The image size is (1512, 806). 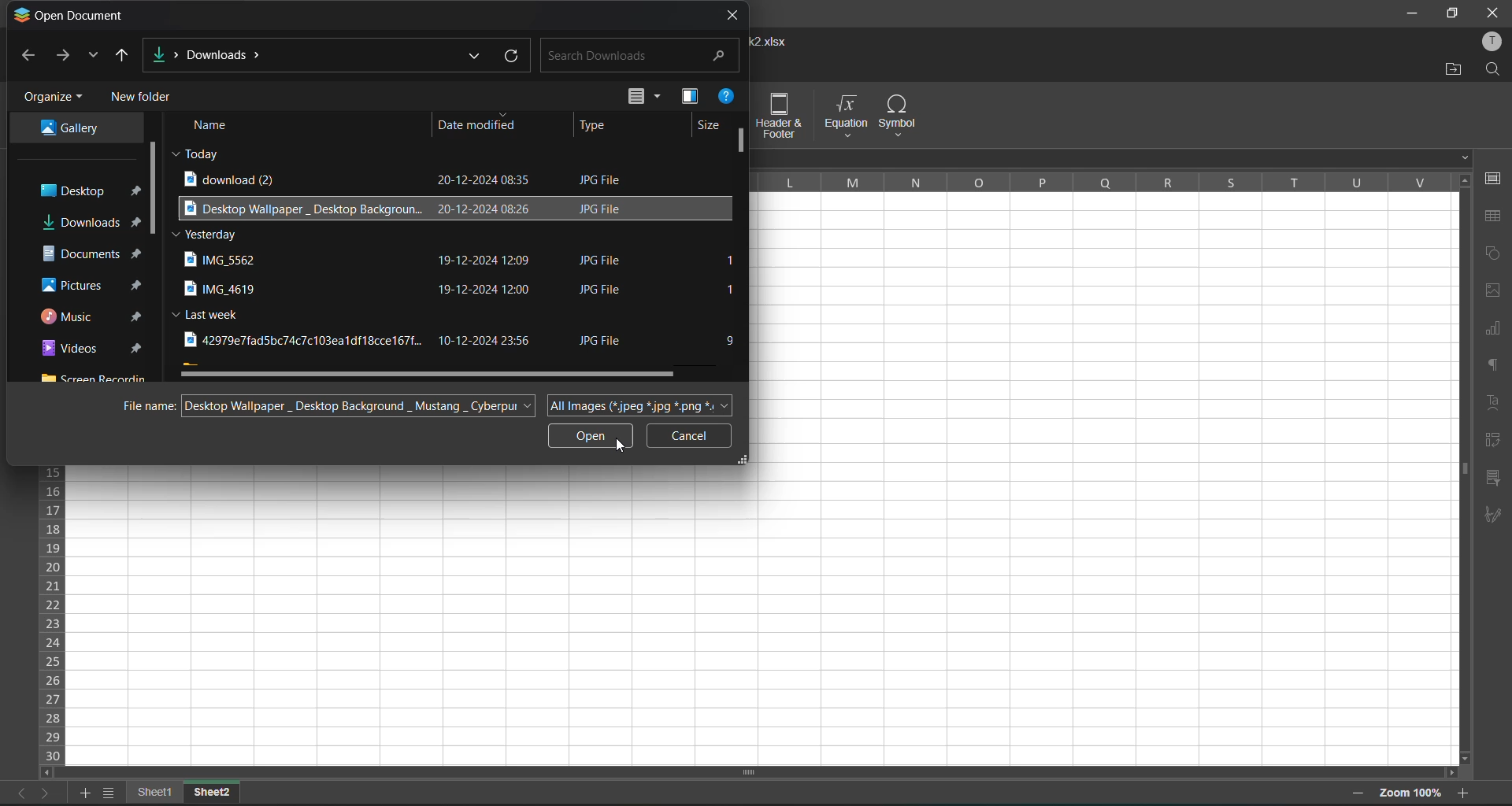 I want to click on downloads, so click(x=84, y=222).